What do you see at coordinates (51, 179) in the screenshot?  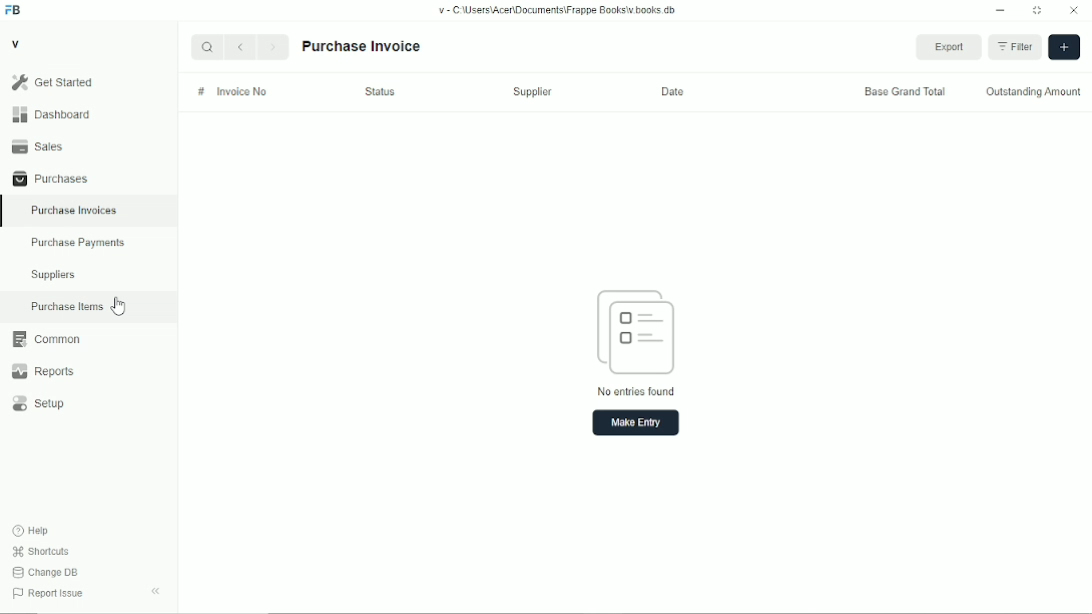 I see `purchases` at bounding box center [51, 179].